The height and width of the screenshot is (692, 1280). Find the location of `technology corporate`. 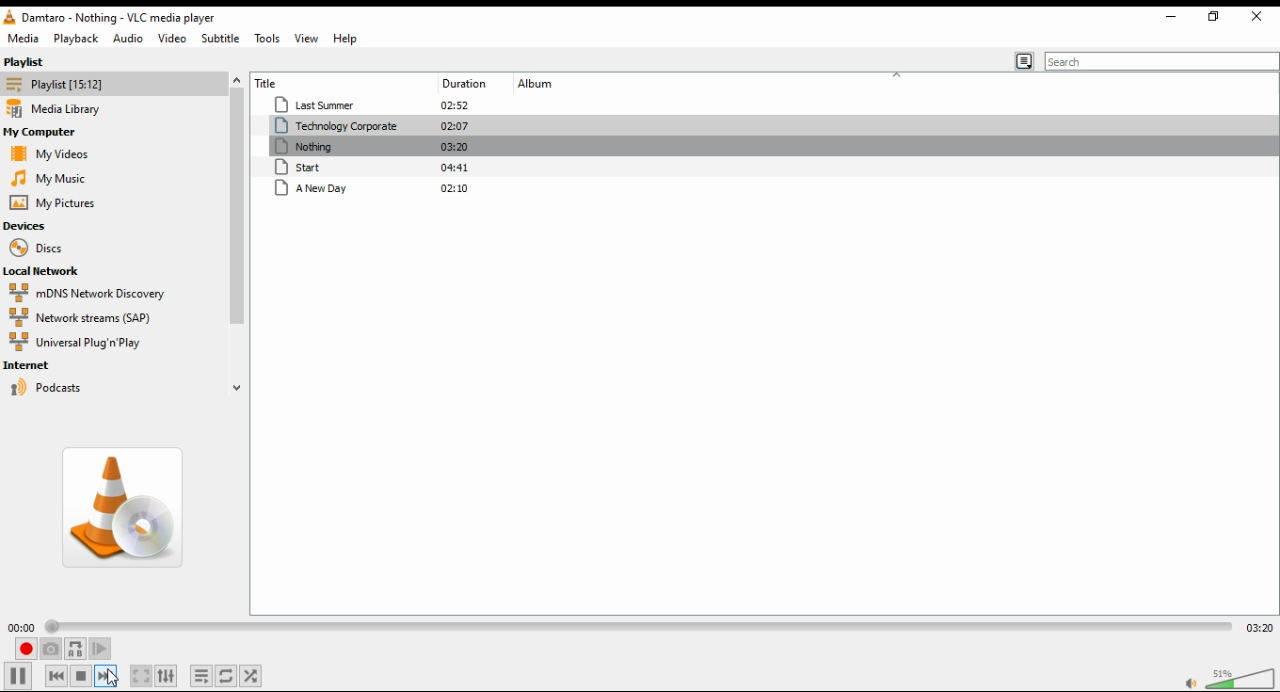

technology corporate is located at coordinates (373, 126).